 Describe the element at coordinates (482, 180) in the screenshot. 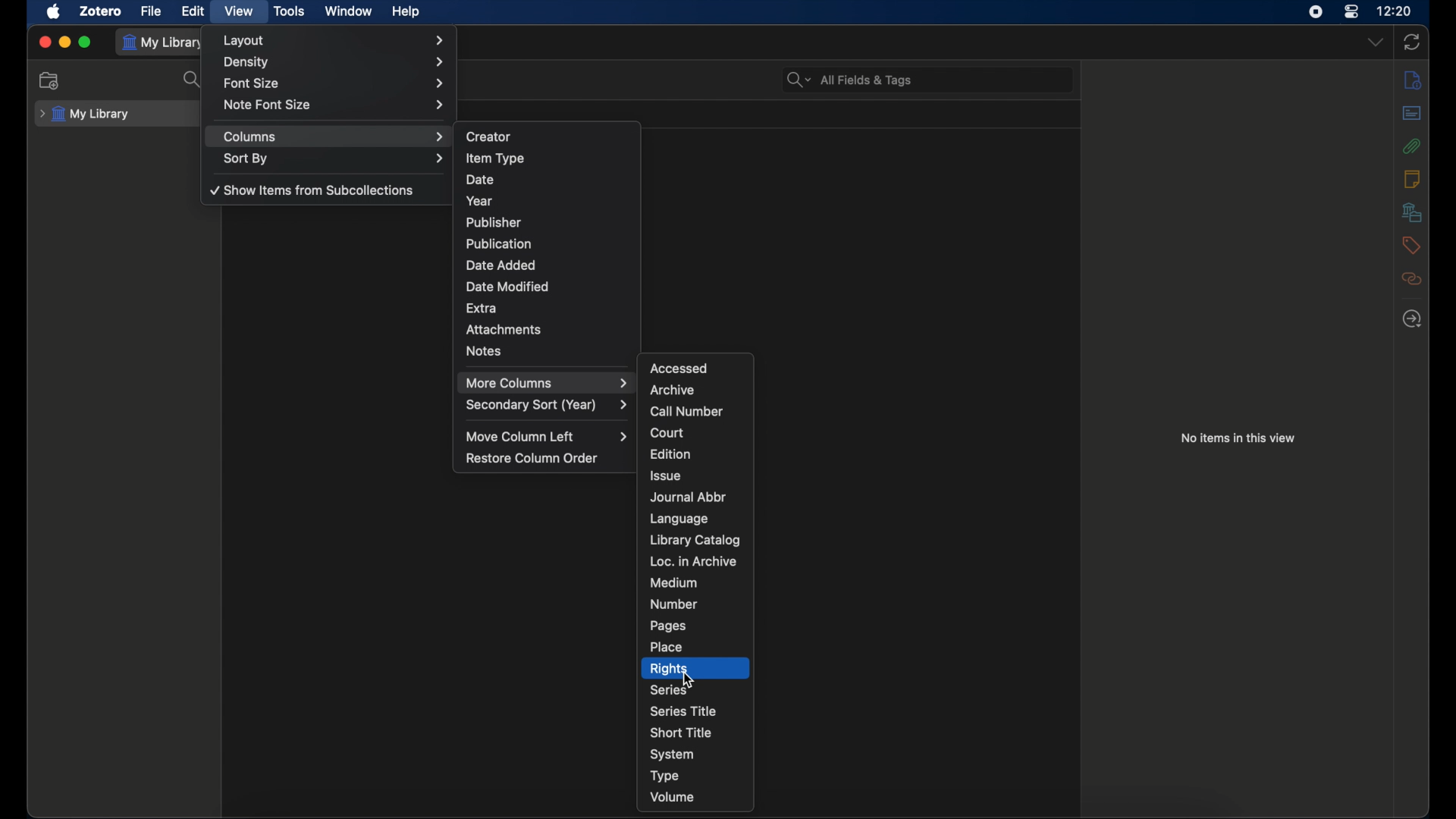

I see `date` at that location.